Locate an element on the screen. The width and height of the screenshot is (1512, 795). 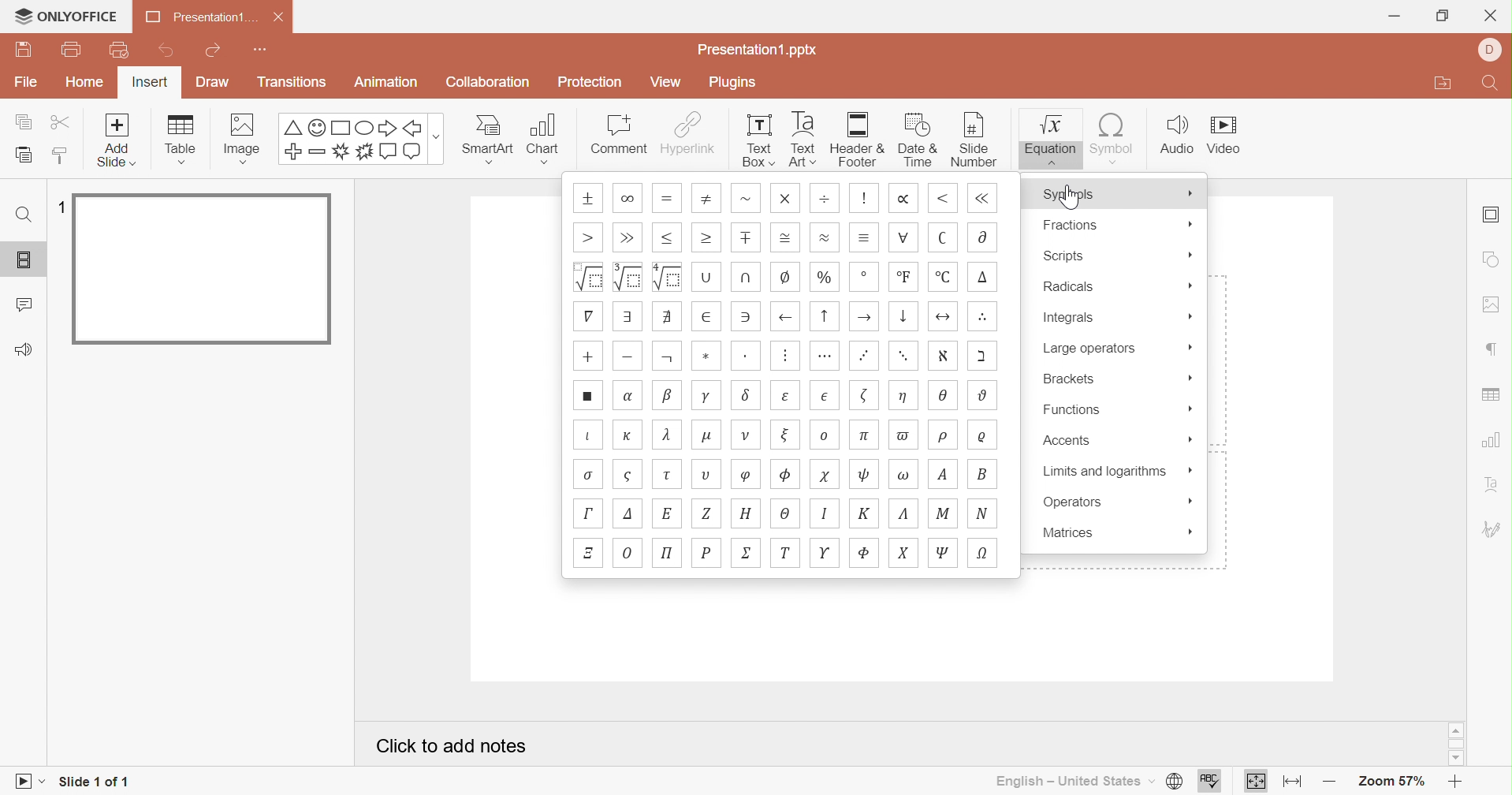
Smart Art is located at coordinates (488, 140).